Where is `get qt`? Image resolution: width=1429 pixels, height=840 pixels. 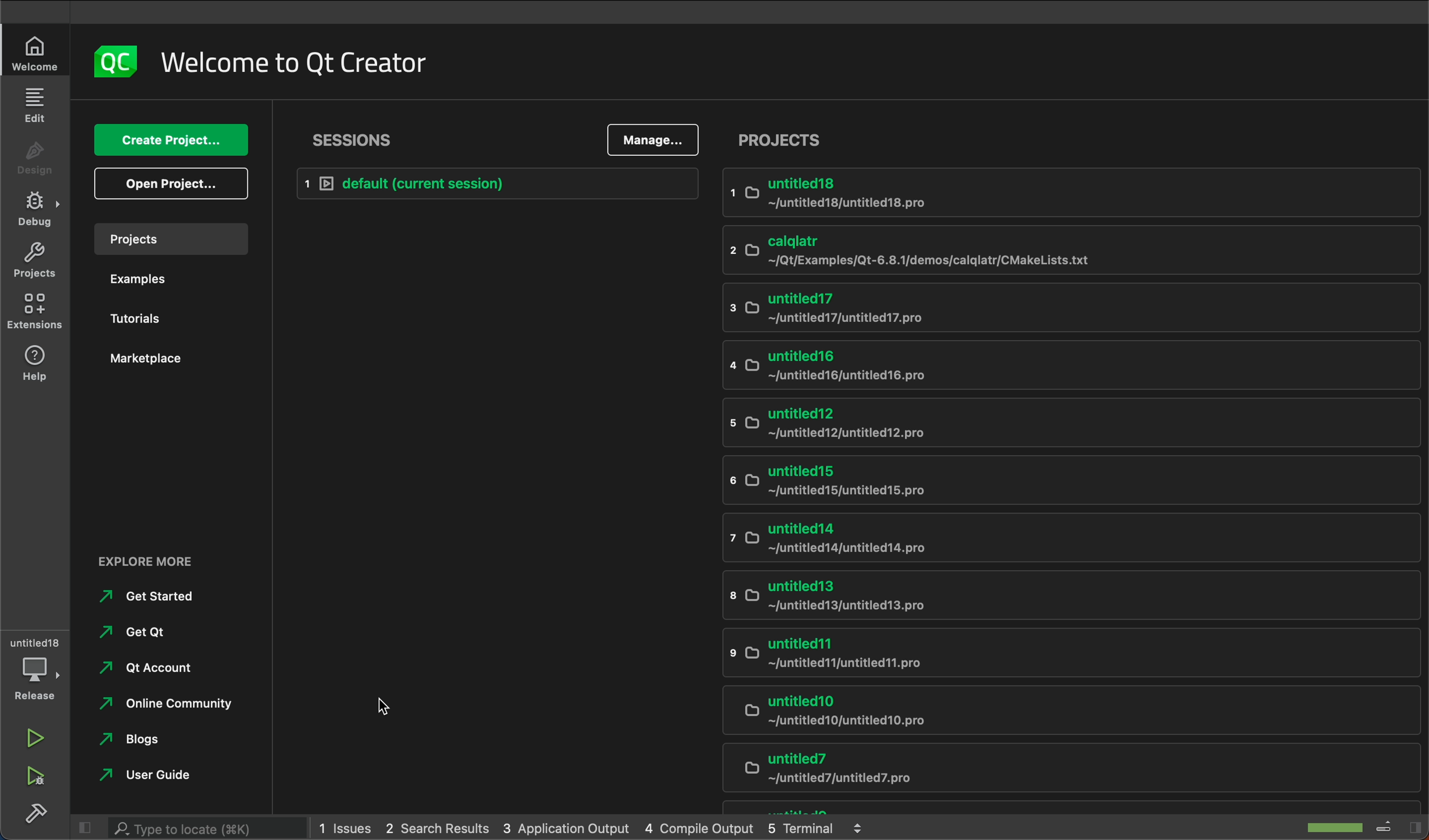 get qt is located at coordinates (136, 630).